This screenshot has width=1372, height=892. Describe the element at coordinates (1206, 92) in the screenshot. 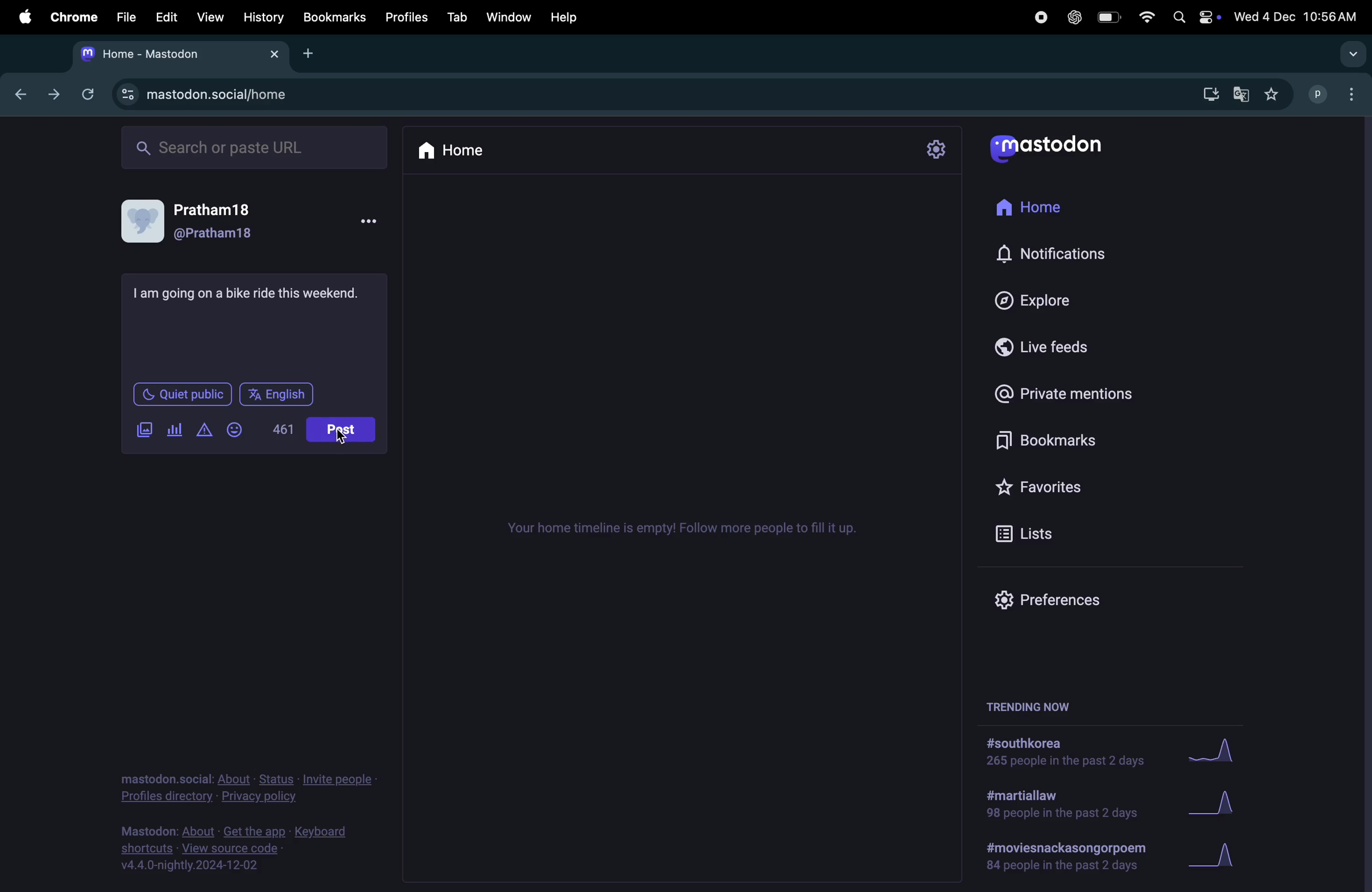

I see `downlaods` at that location.